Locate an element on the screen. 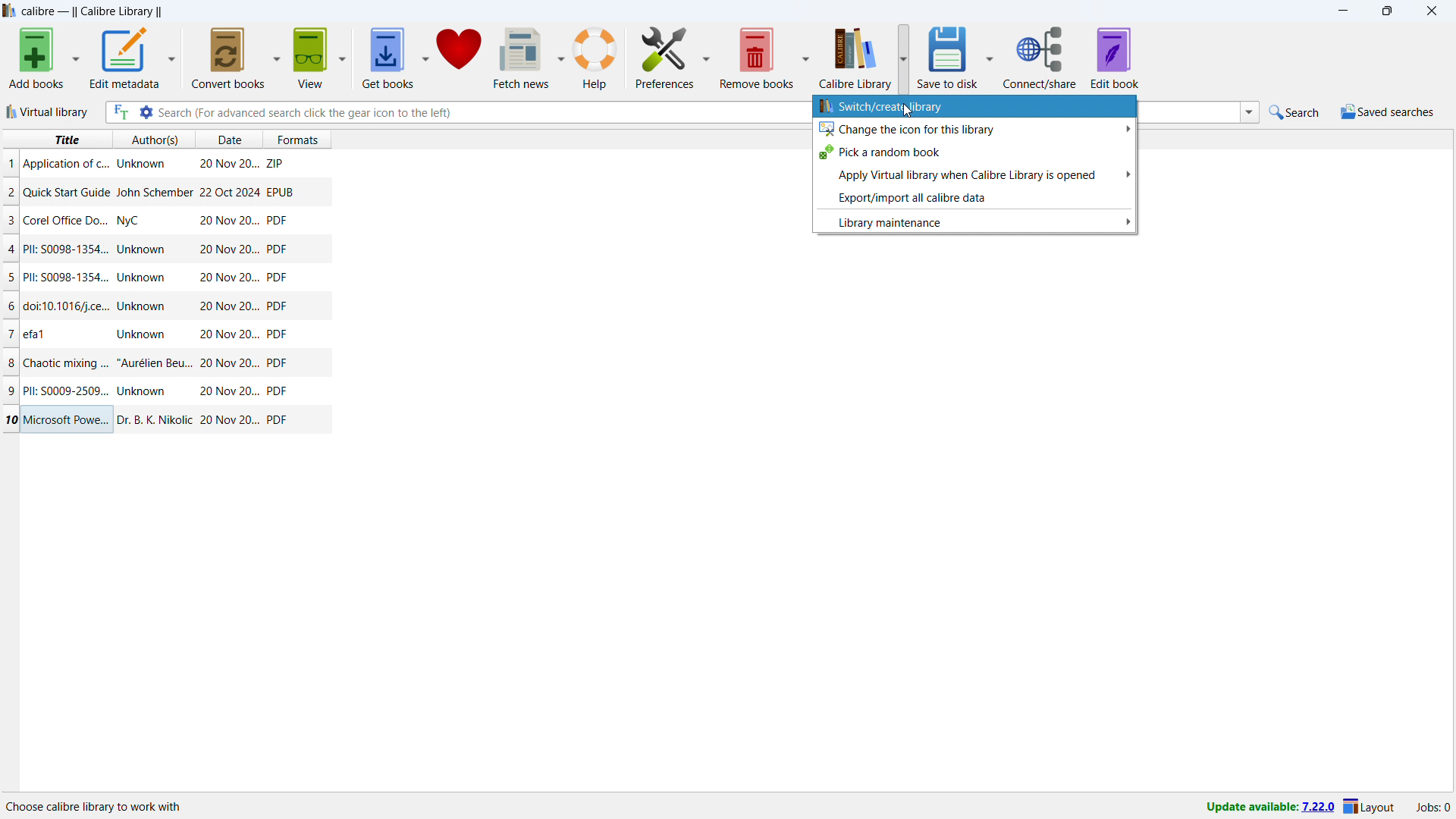 The width and height of the screenshot is (1456, 819). date is located at coordinates (227, 140).